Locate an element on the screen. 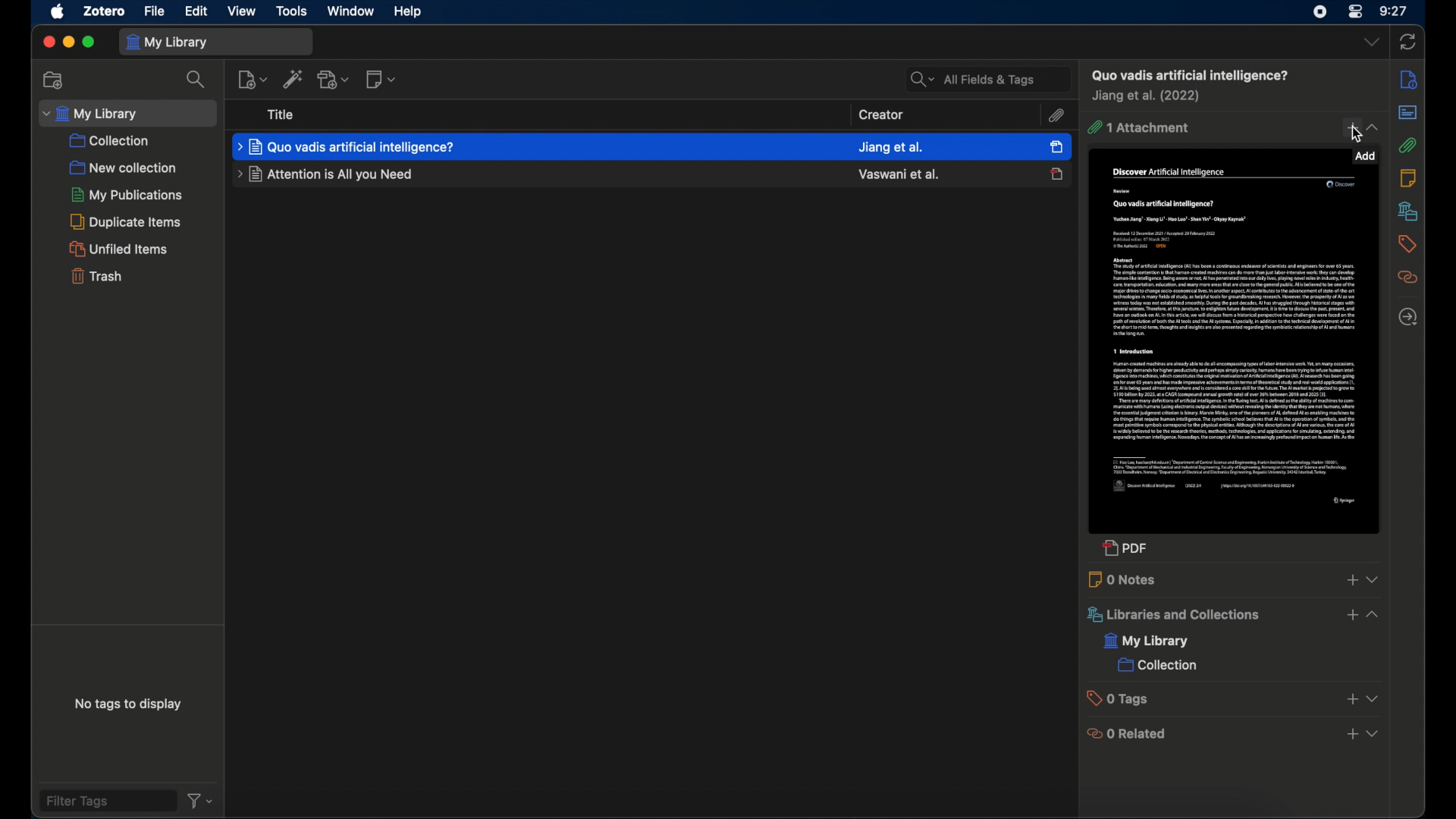 This screenshot has width=1456, height=819. add is located at coordinates (1351, 615).